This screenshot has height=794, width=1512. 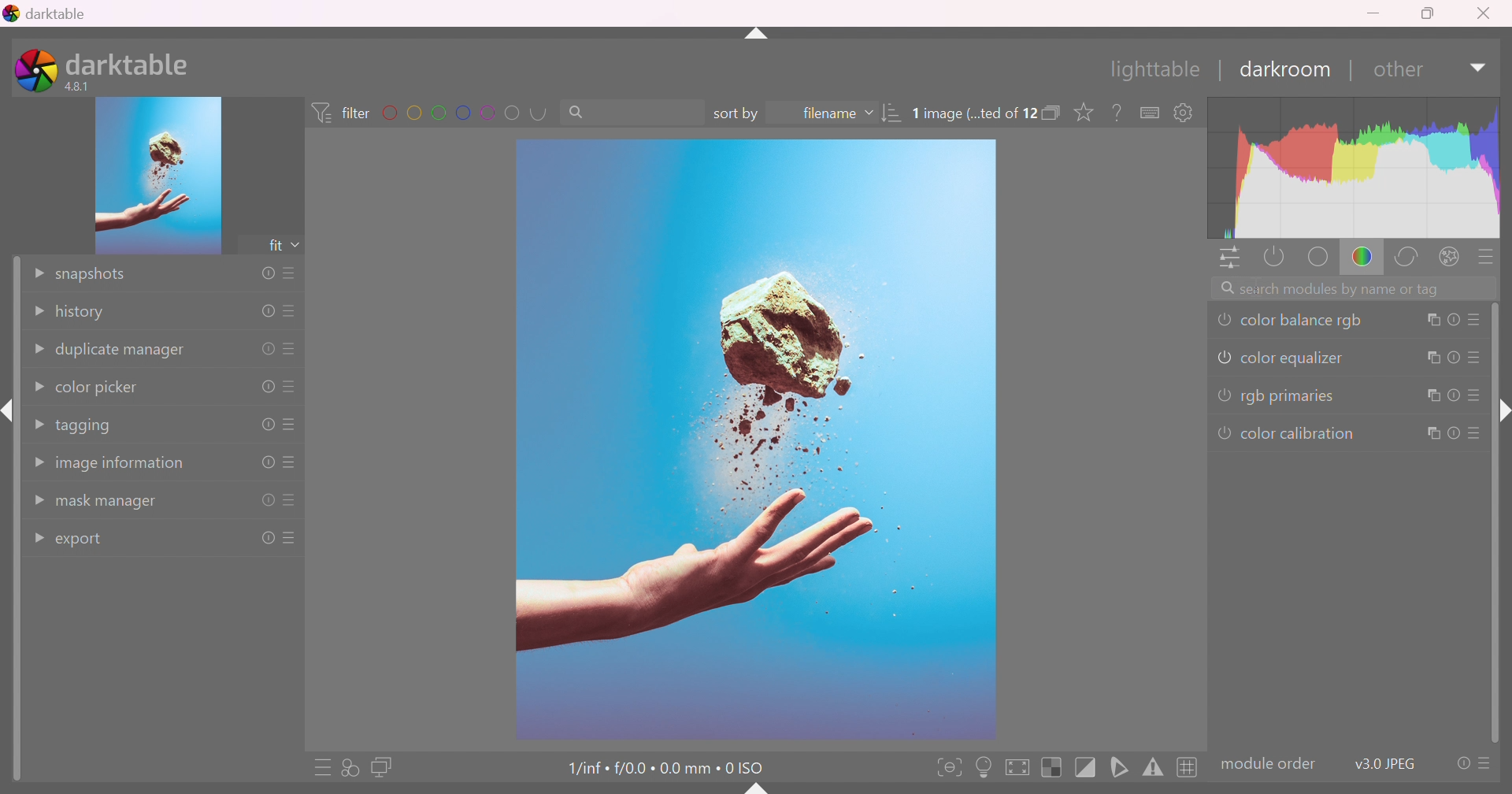 I want to click on shift+ctrl+r, so click(x=1503, y=408).